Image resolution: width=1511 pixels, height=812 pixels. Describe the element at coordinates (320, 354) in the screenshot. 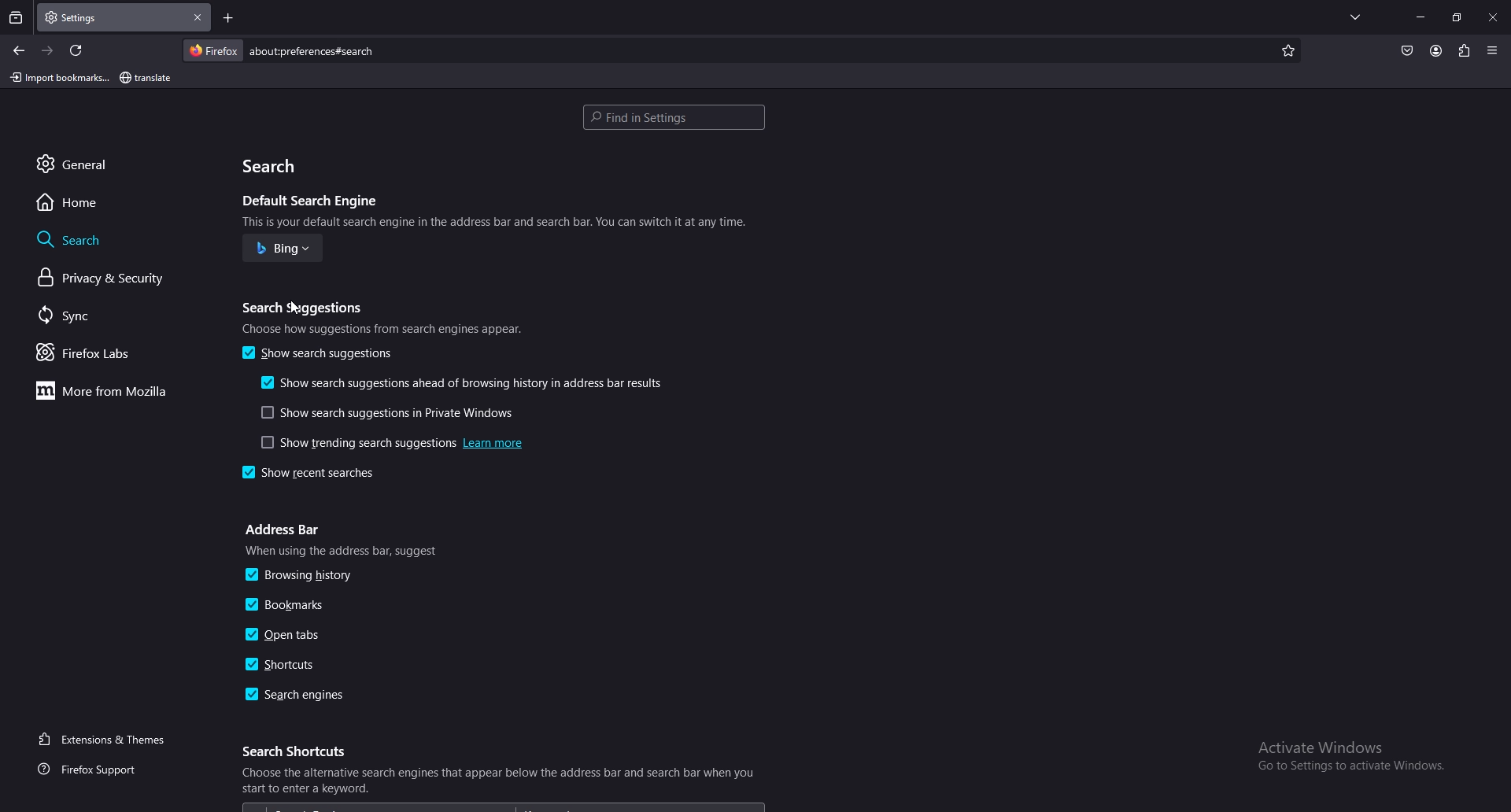

I see `show search suggestions` at that location.